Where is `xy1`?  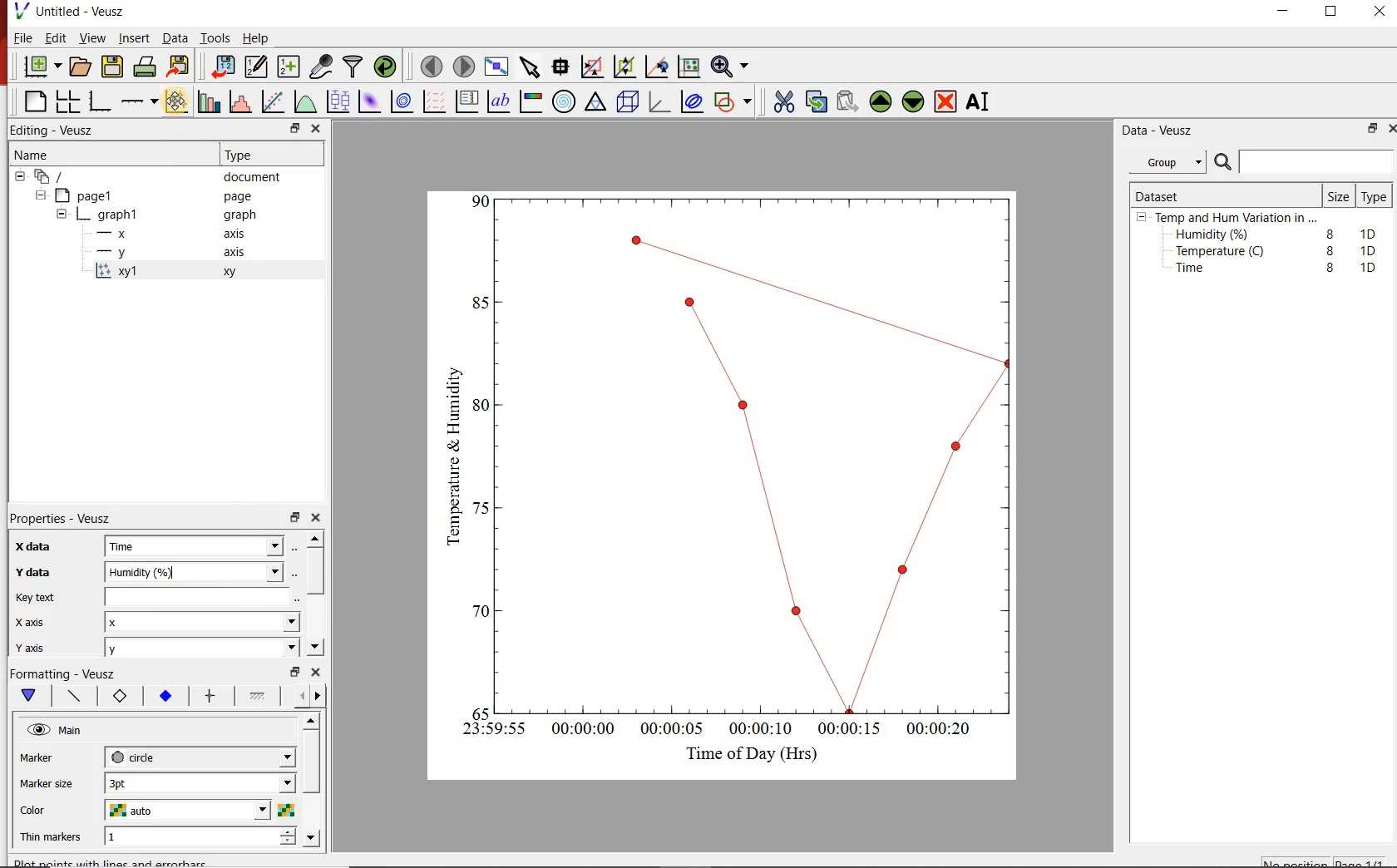 xy1 is located at coordinates (126, 271).